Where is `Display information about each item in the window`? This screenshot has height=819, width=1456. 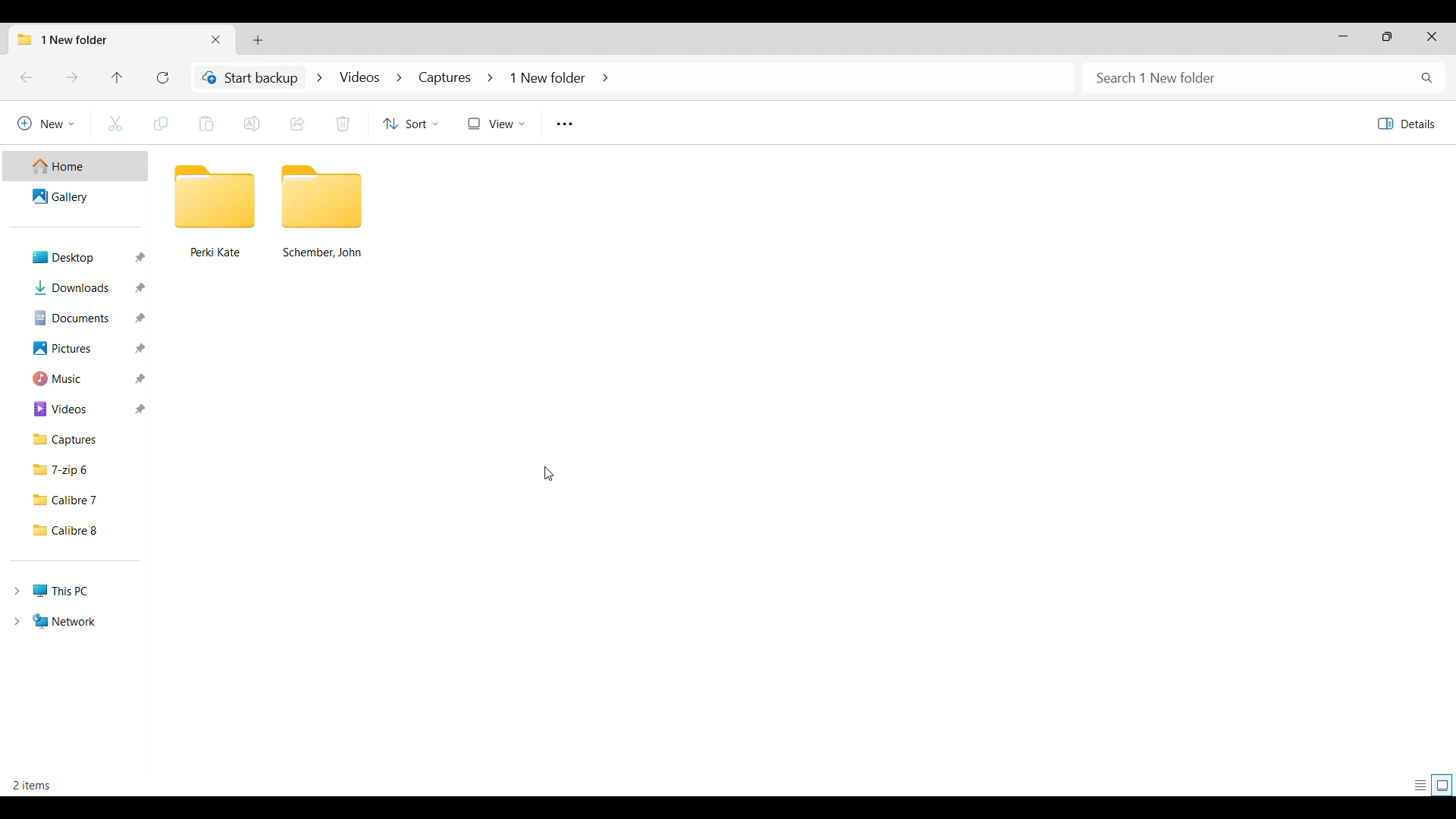 Display information about each item in the window is located at coordinates (1421, 786).